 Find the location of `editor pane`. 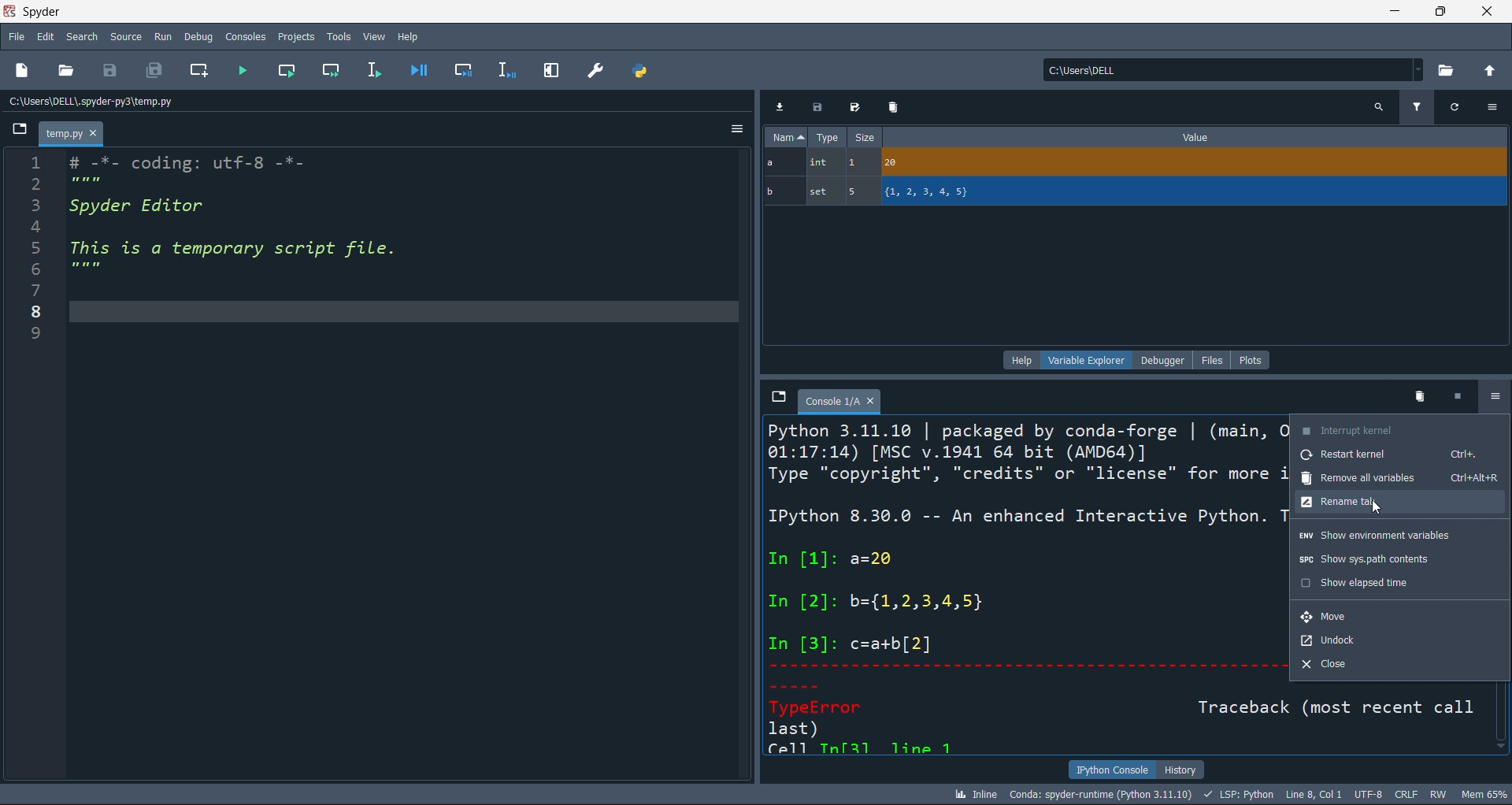

editor pane is located at coordinates (404, 466).